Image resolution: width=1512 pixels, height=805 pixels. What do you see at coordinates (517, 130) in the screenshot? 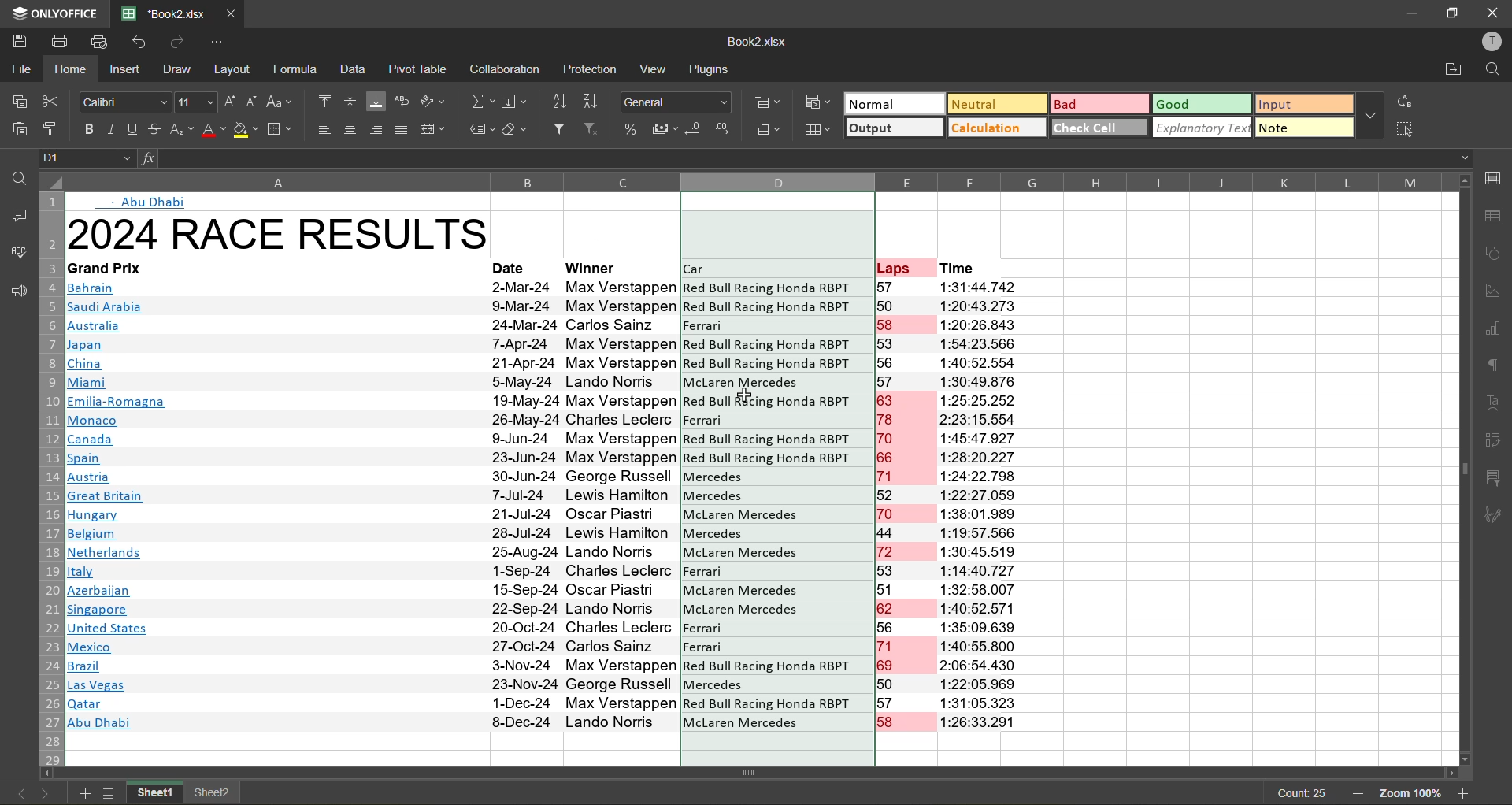
I see `clear` at bounding box center [517, 130].